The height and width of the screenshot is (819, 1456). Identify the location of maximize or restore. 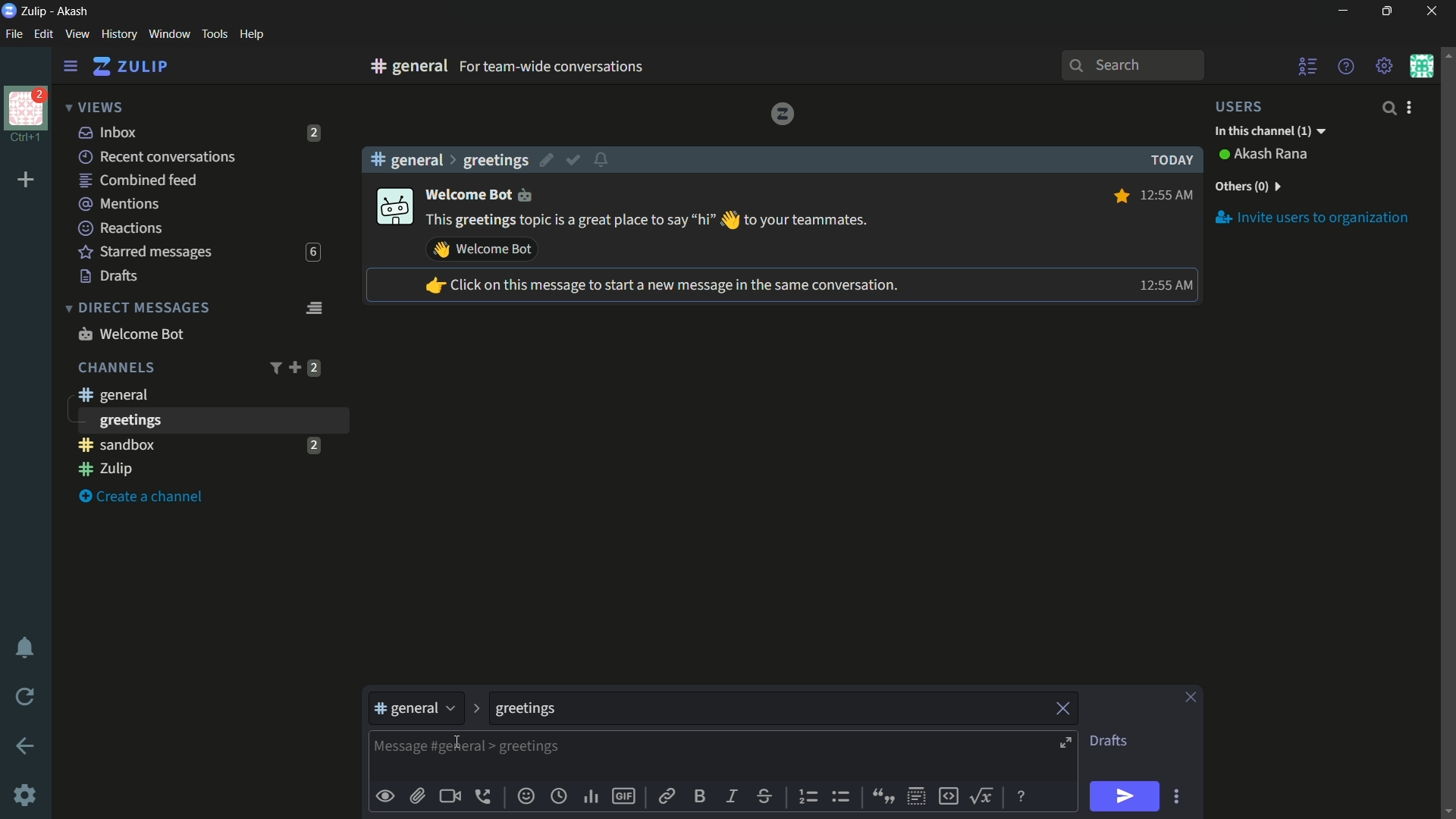
(1389, 11).